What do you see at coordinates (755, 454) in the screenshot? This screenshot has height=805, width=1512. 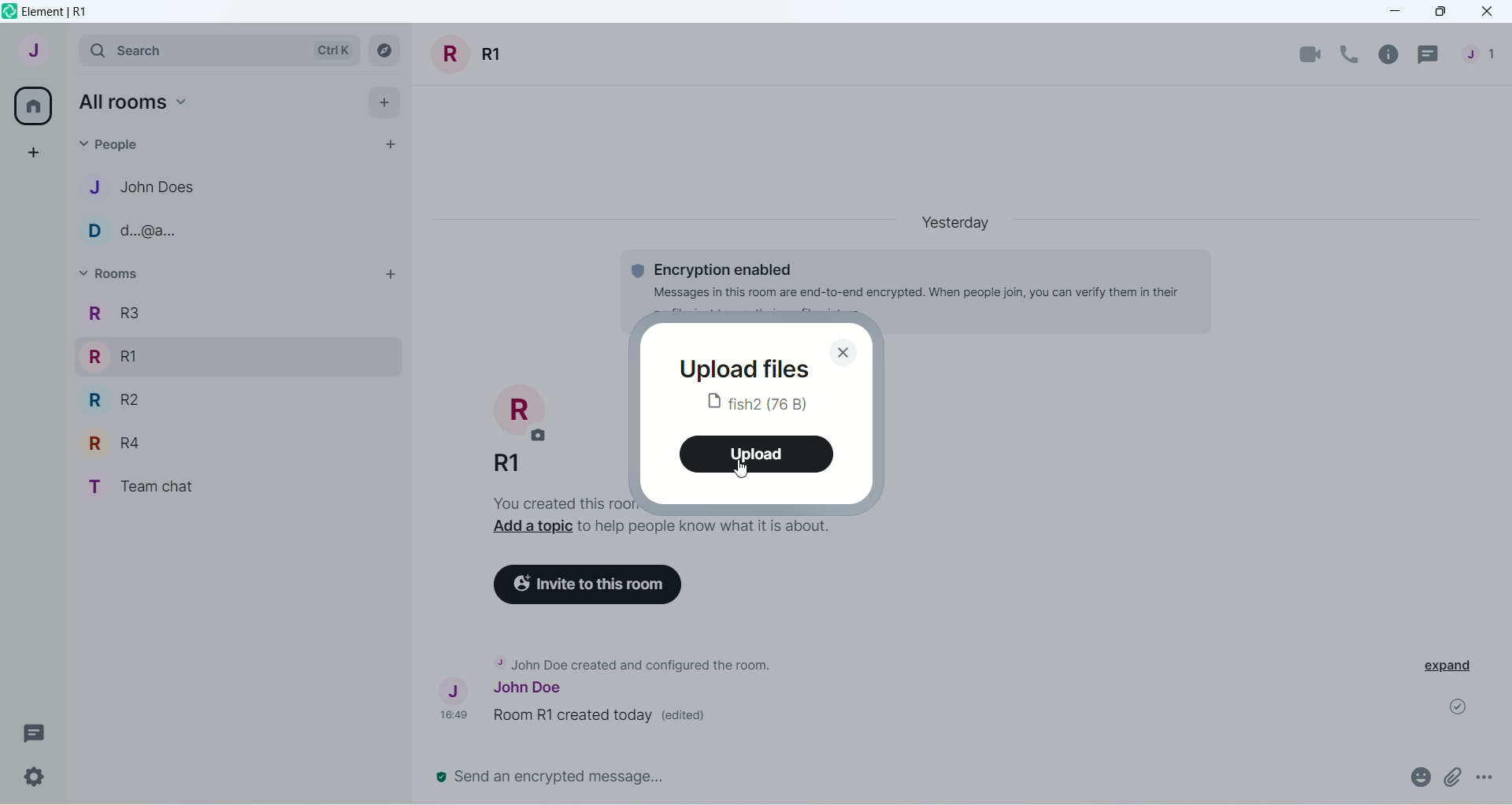 I see `upload` at bounding box center [755, 454].